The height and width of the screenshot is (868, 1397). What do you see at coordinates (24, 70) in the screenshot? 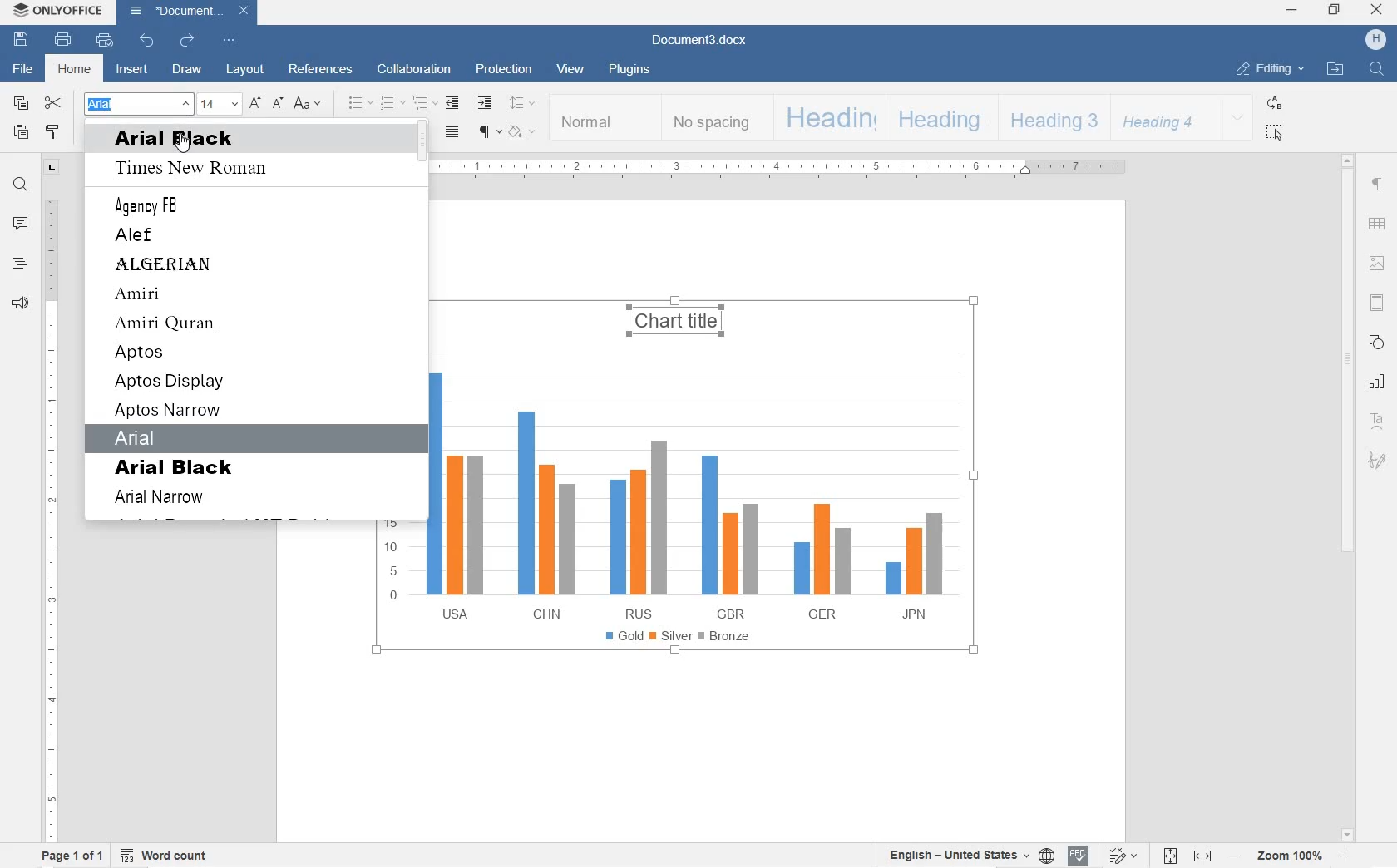
I see `FILE` at bounding box center [24, 70].